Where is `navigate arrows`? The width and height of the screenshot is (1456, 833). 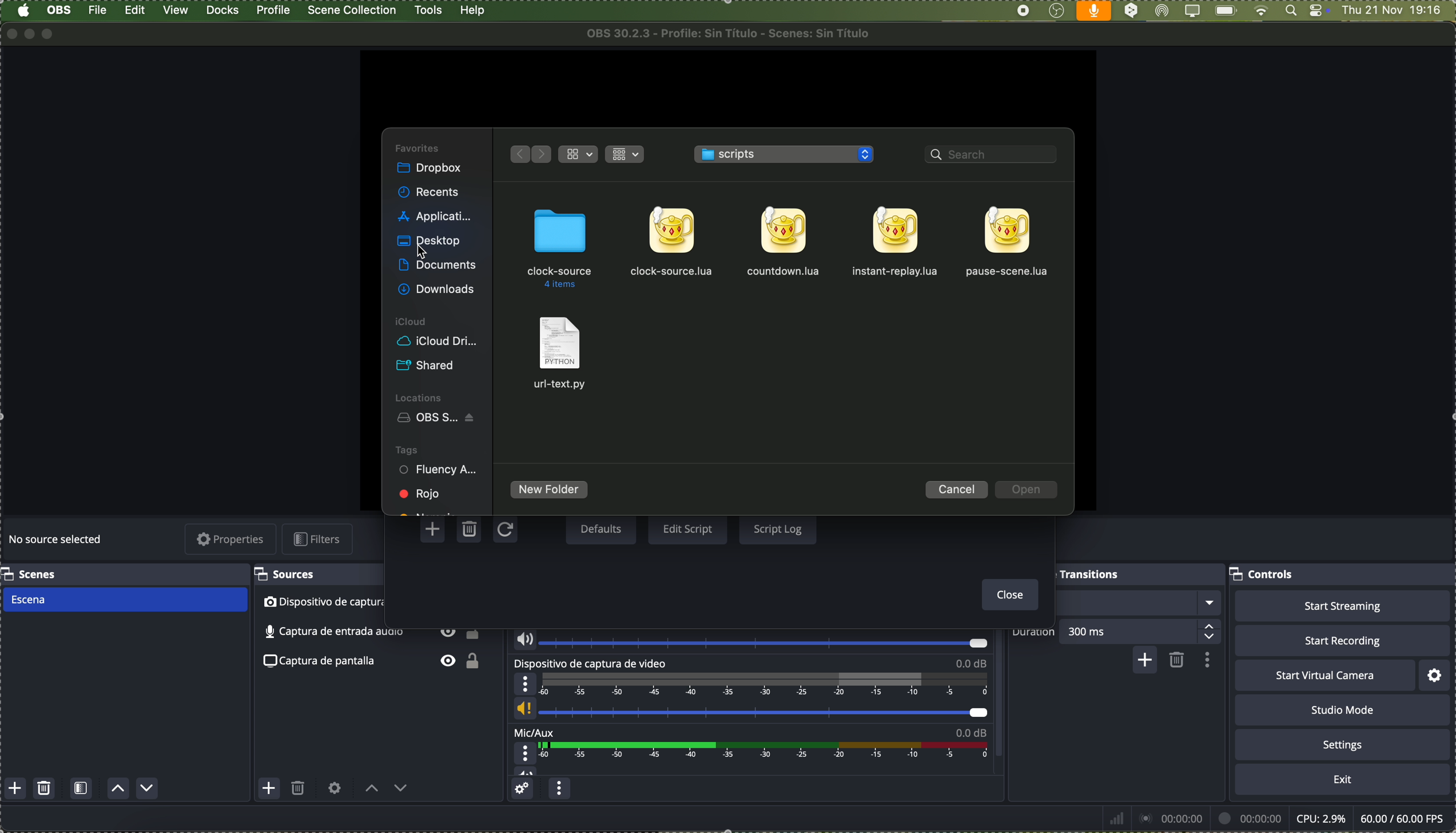 navigate arrows is located at coordinates (528, 153).